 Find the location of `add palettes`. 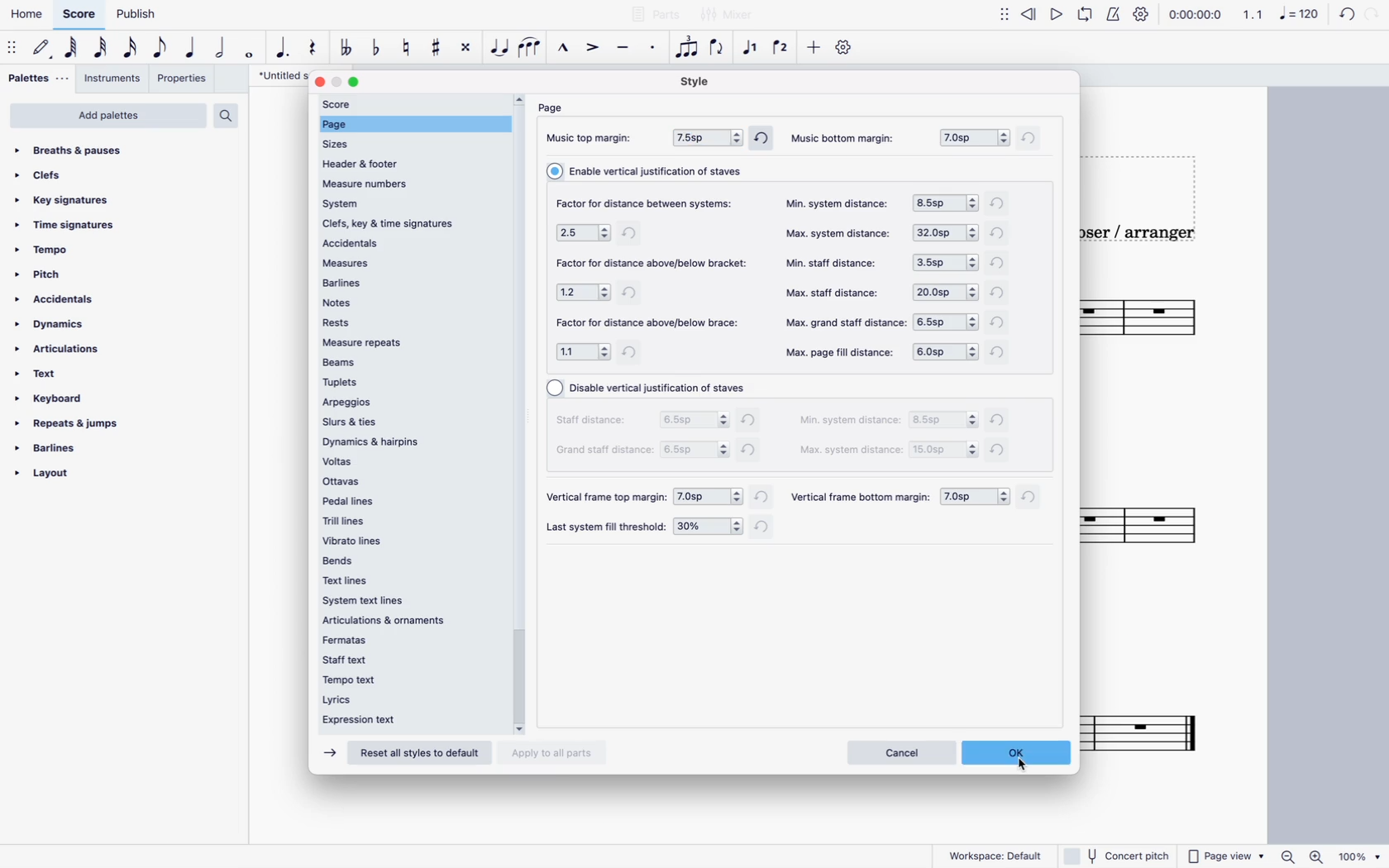

add palettes is located at coordinates (107, 116).